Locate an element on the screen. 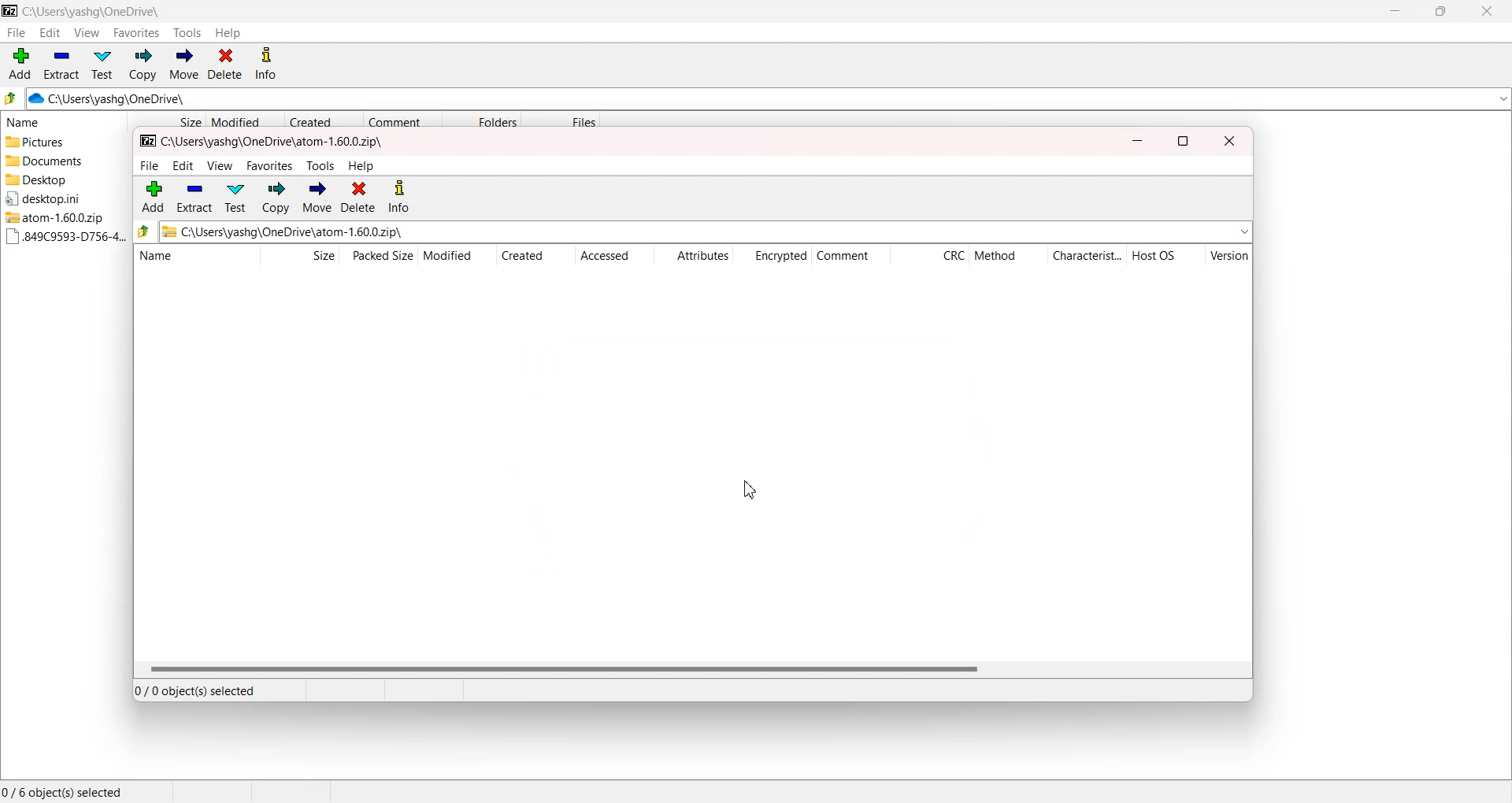  Host OS is located at coordinates (1165, 257).